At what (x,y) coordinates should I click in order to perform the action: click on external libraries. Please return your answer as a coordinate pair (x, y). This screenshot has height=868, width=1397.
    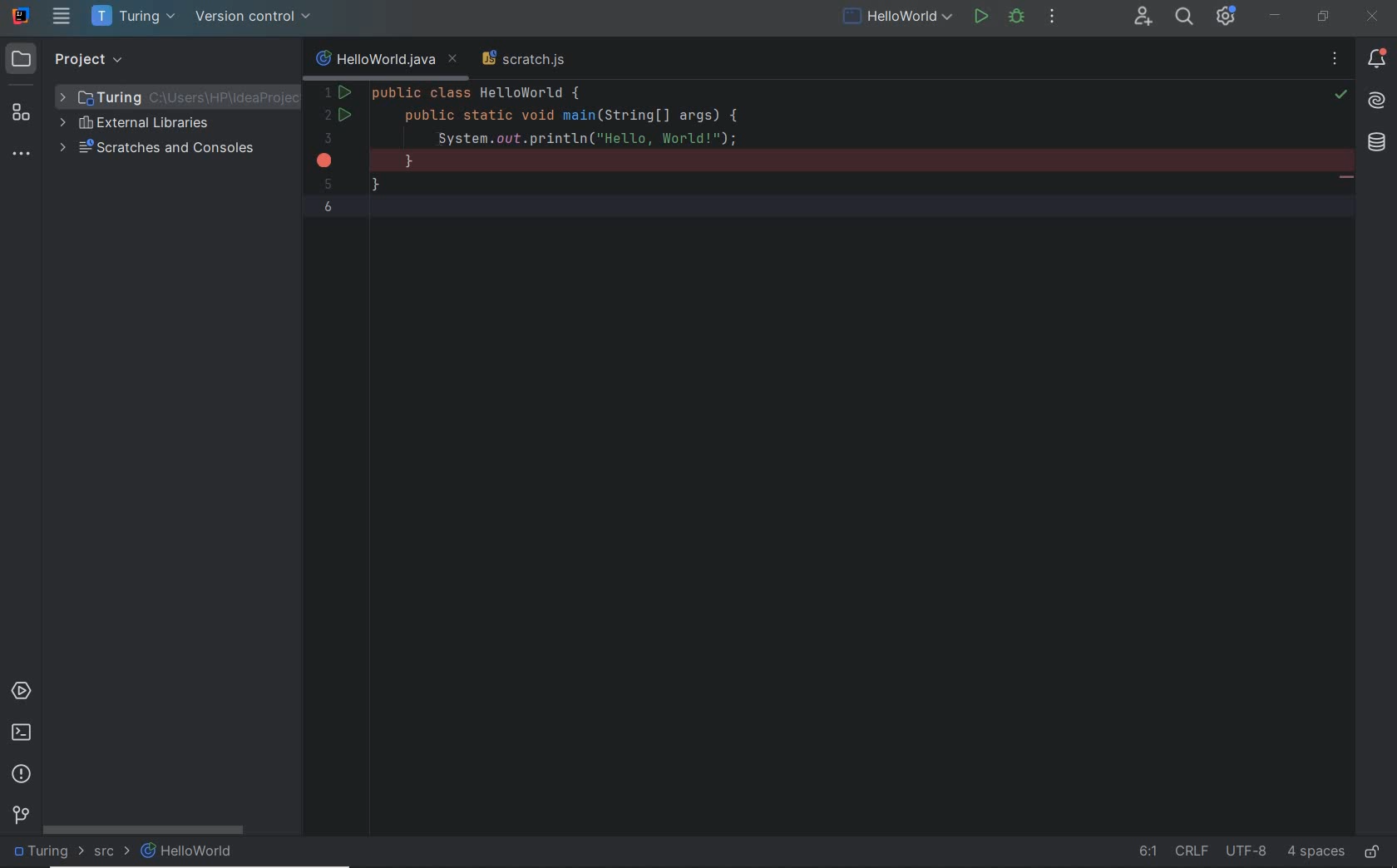
    Looking at the image, I should click on (142, 125).